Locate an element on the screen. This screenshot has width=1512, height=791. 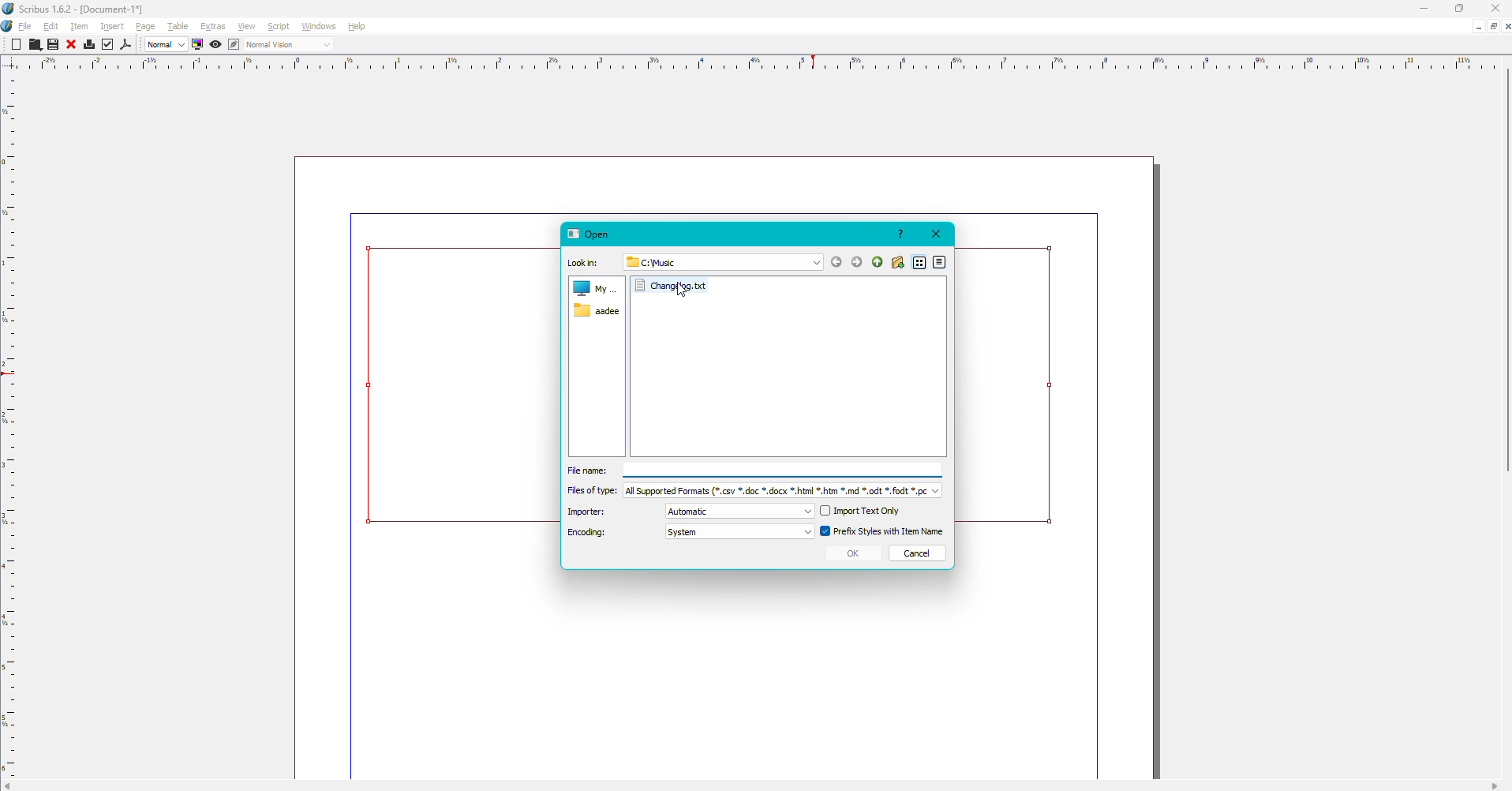
Aadee is located at coordinates (599, 312).